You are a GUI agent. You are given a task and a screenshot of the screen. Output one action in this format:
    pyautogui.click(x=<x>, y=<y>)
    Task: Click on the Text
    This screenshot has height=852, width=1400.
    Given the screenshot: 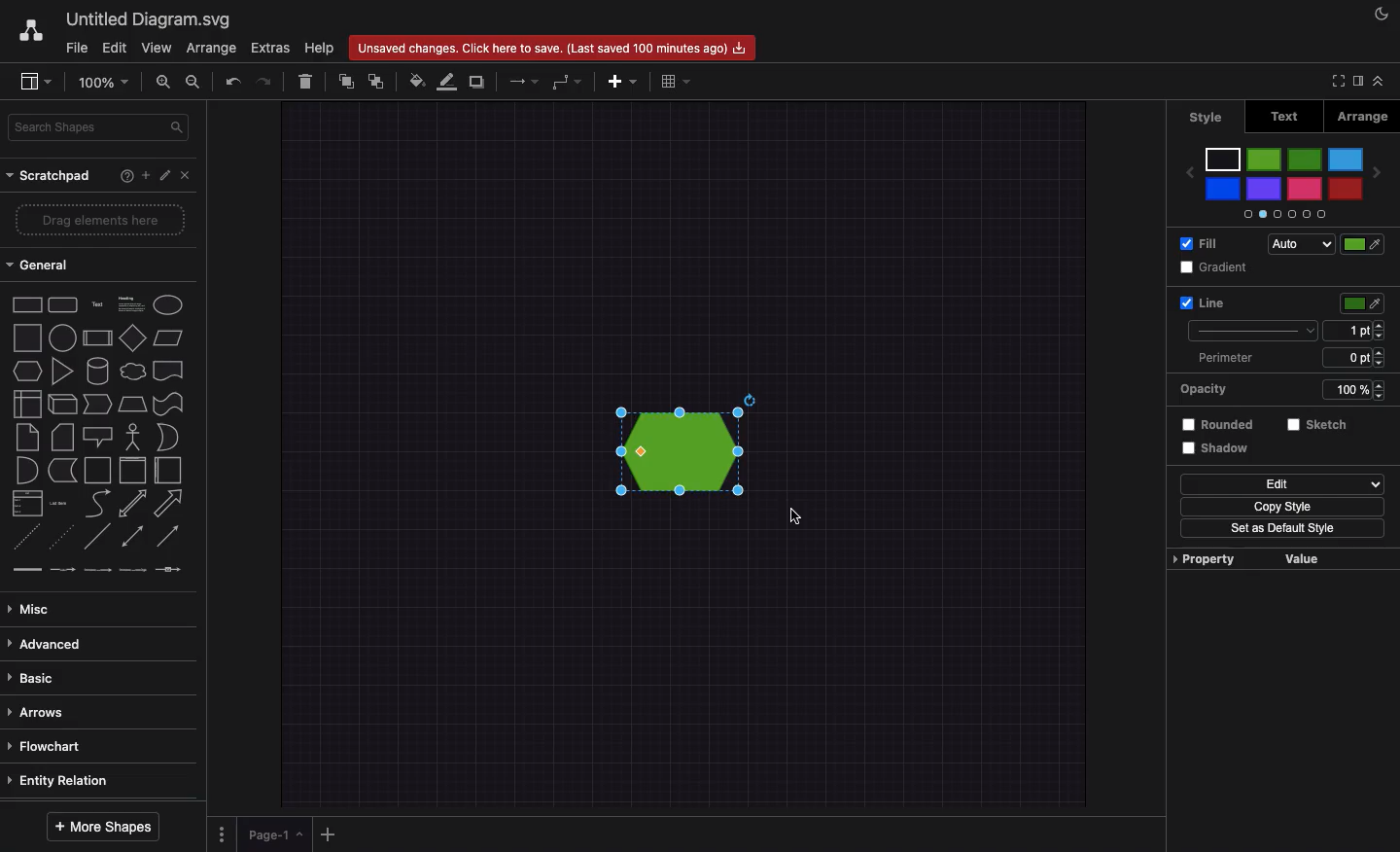 What is the action you would take?
    pyautogui.click(x=1282, y=115)
    